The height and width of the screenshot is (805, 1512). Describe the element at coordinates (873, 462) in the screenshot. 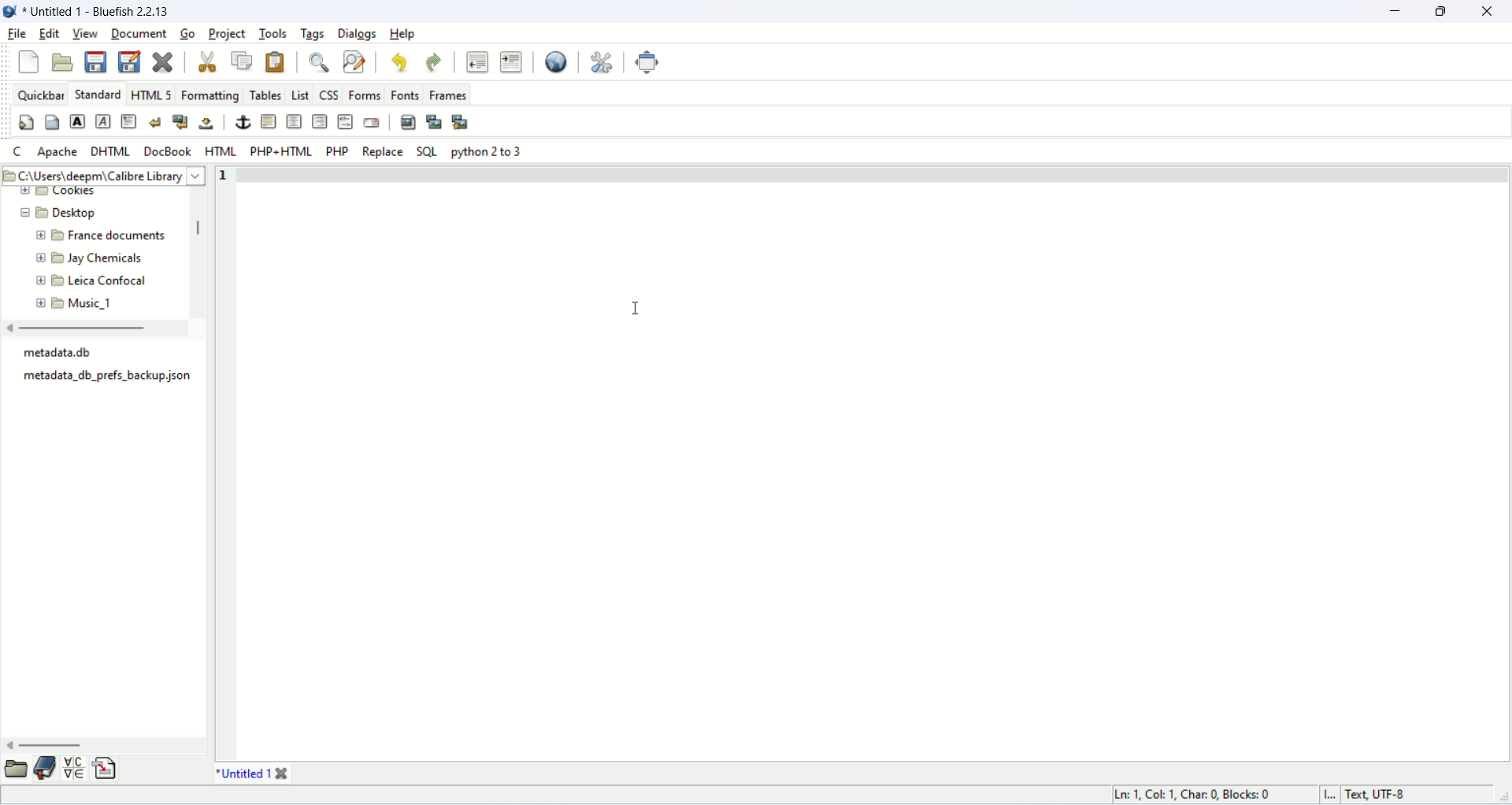

I see `editor` at that location.